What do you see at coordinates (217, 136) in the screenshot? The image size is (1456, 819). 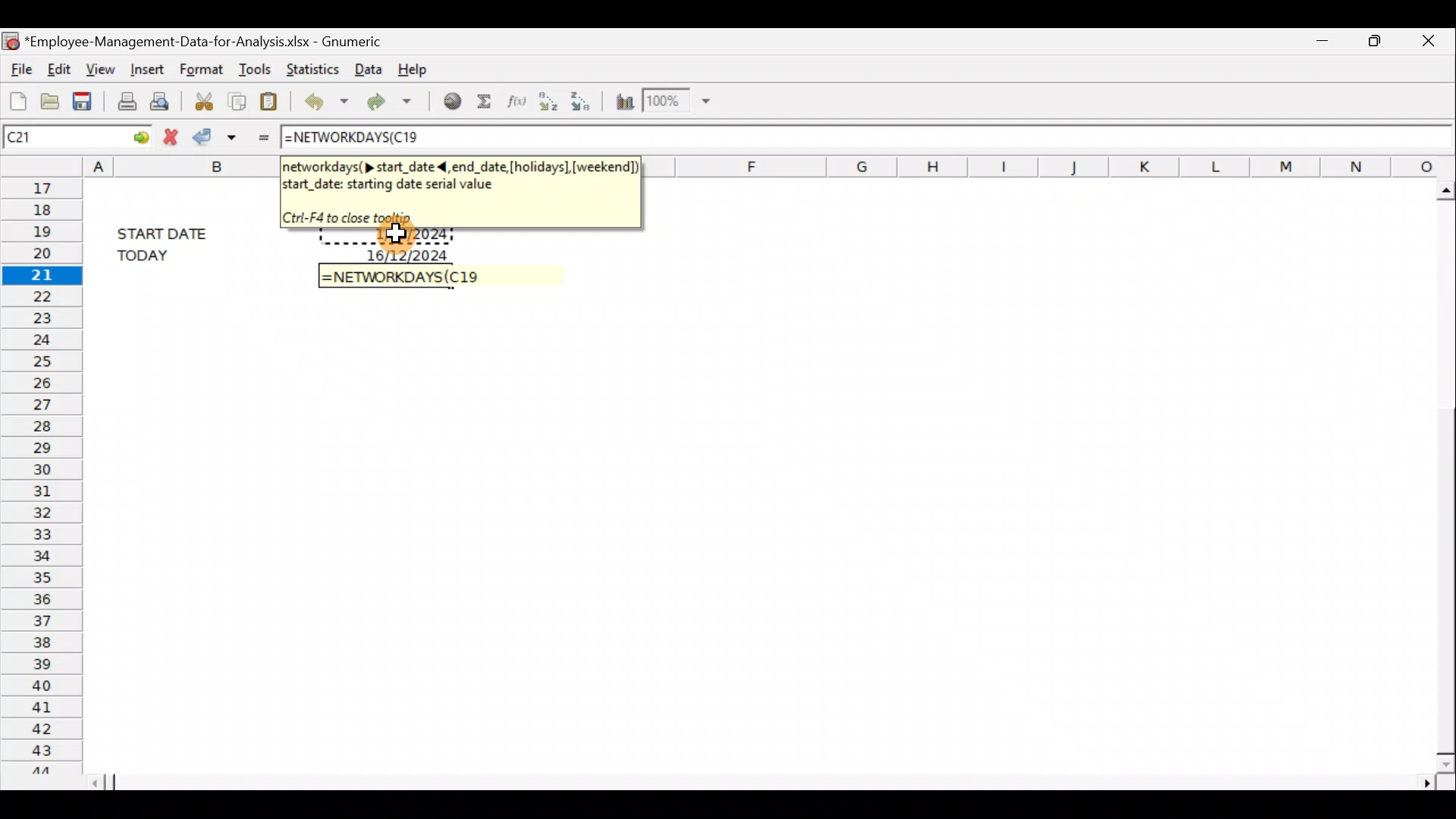 I see `Accept change` at bounding box center [217, 136].